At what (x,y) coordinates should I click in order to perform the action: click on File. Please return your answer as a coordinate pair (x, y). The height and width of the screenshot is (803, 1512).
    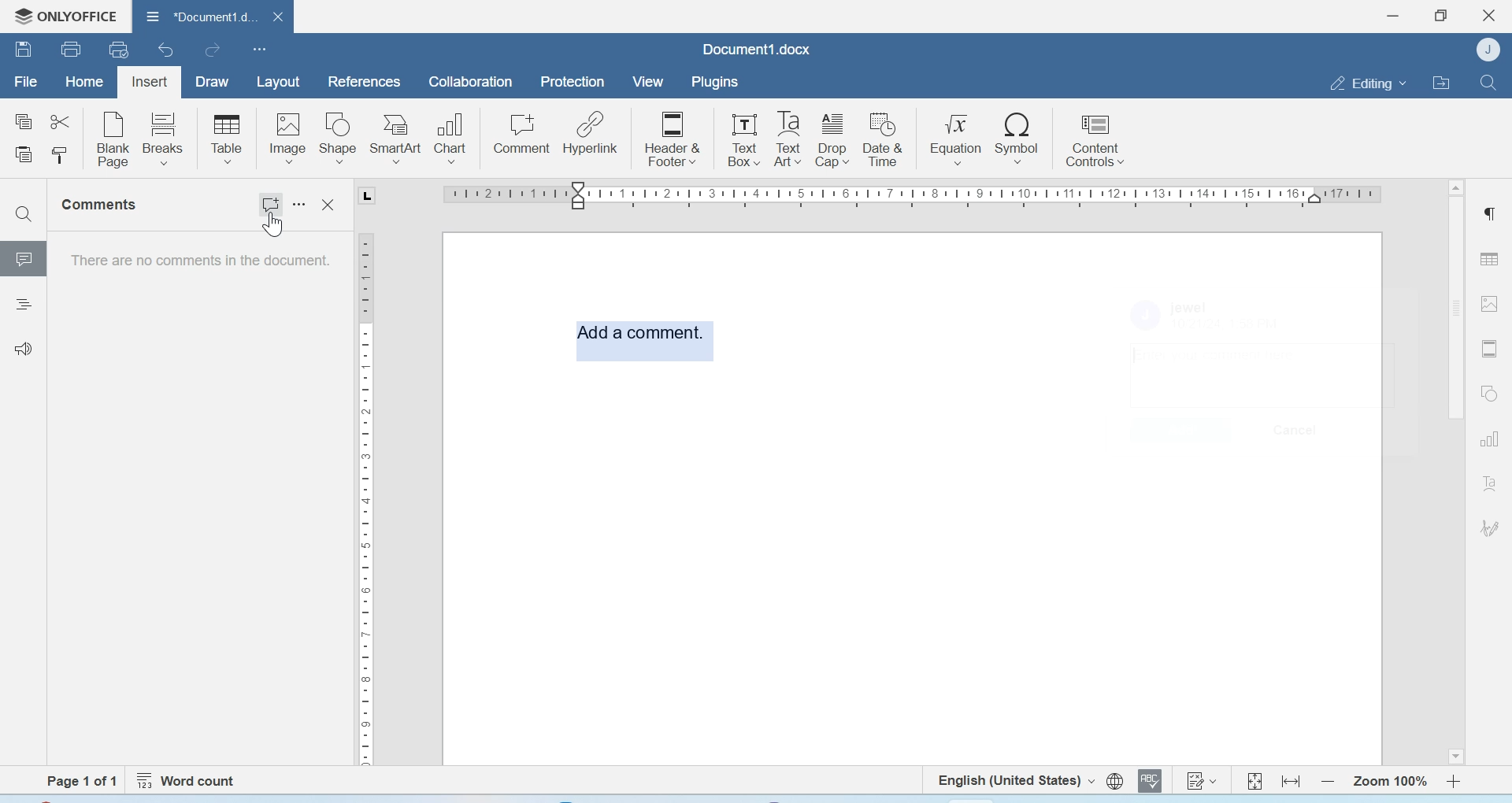
    Looking at the image, I should click on (25, 82).